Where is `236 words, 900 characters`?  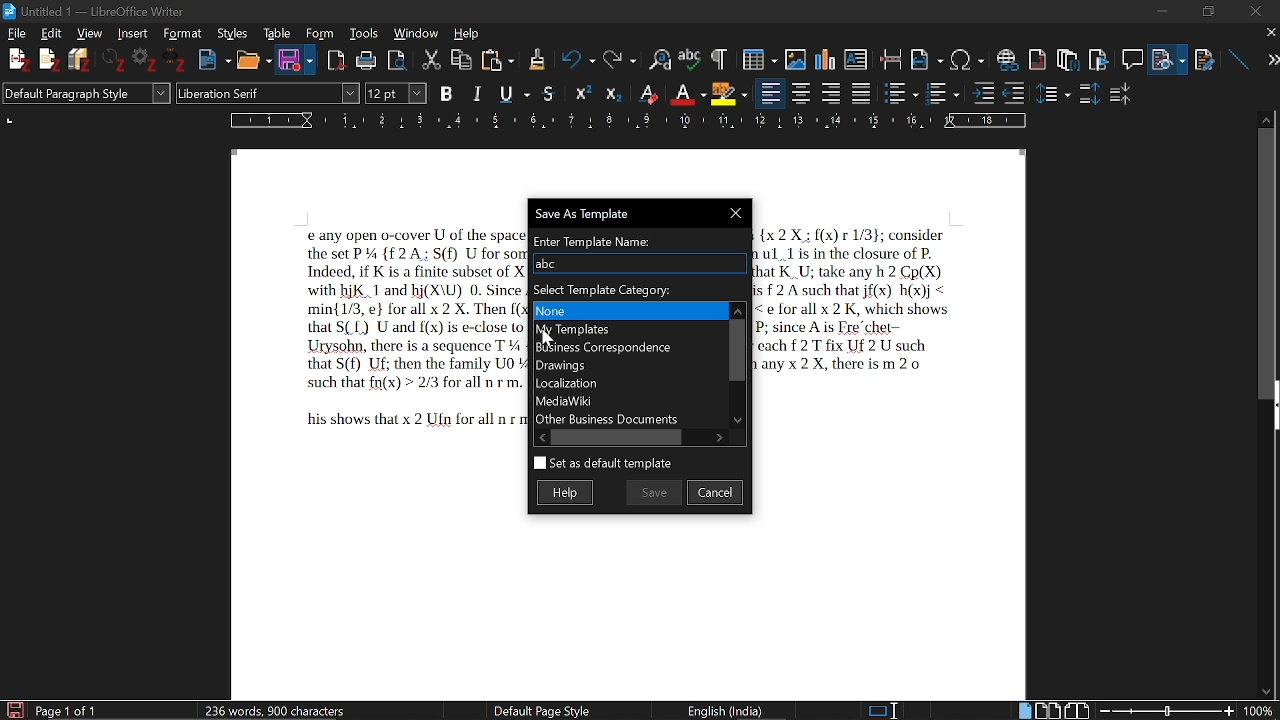 236 words, 900 characters is located at coordinates (276, 707).